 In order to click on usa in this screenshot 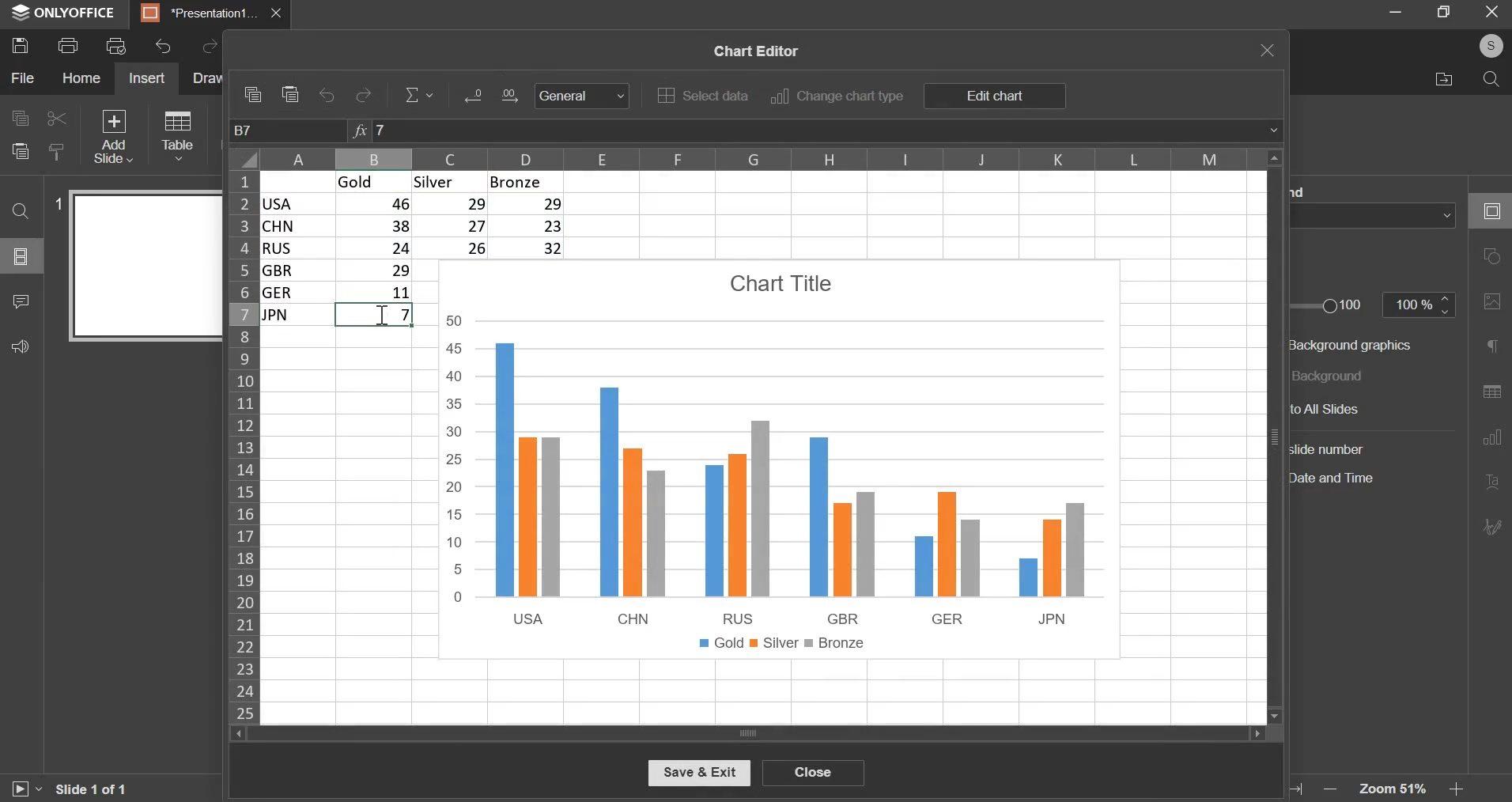, I will do `click(298, 204)`.